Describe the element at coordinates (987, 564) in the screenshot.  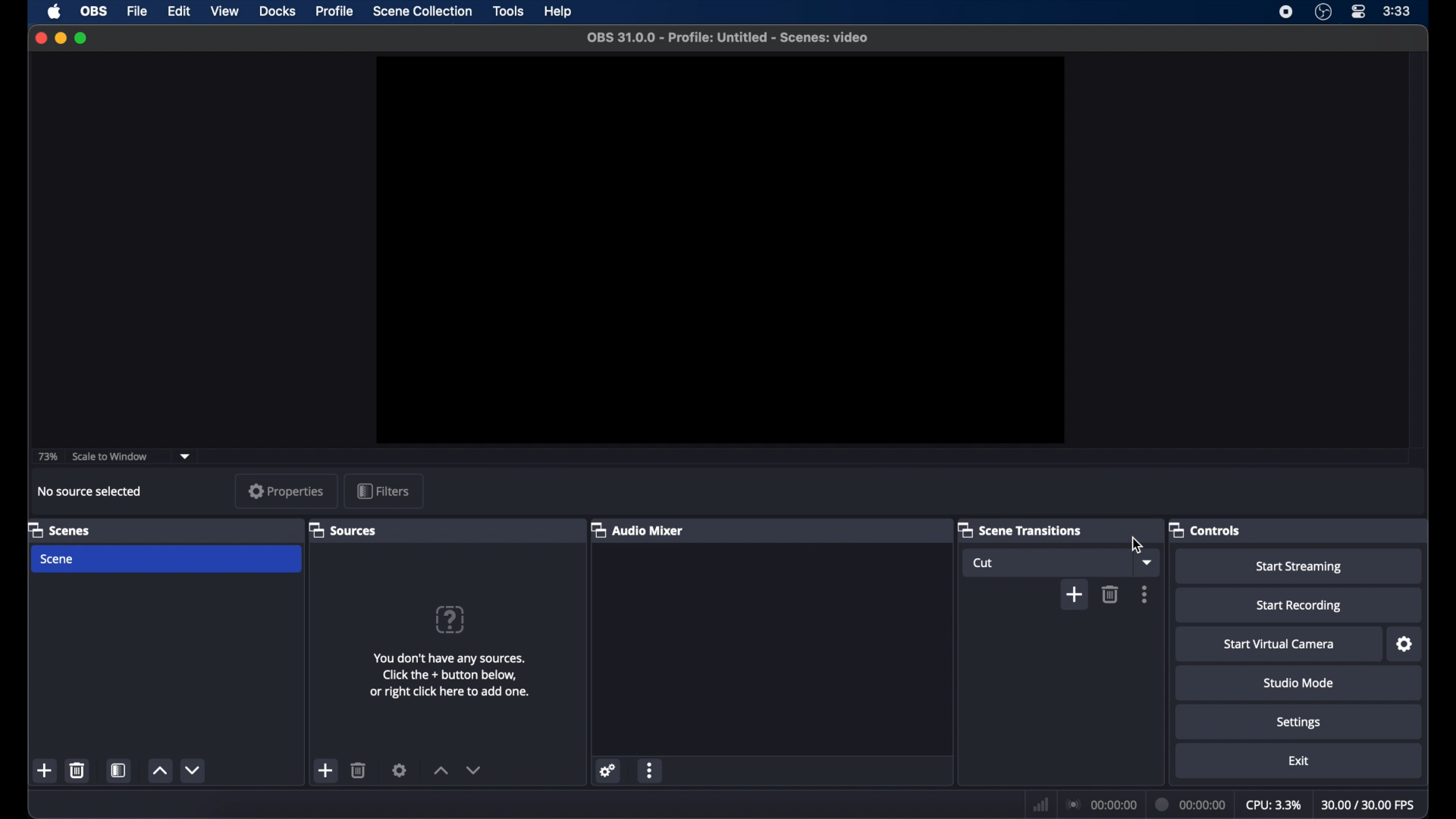
I see `cut` at that location.